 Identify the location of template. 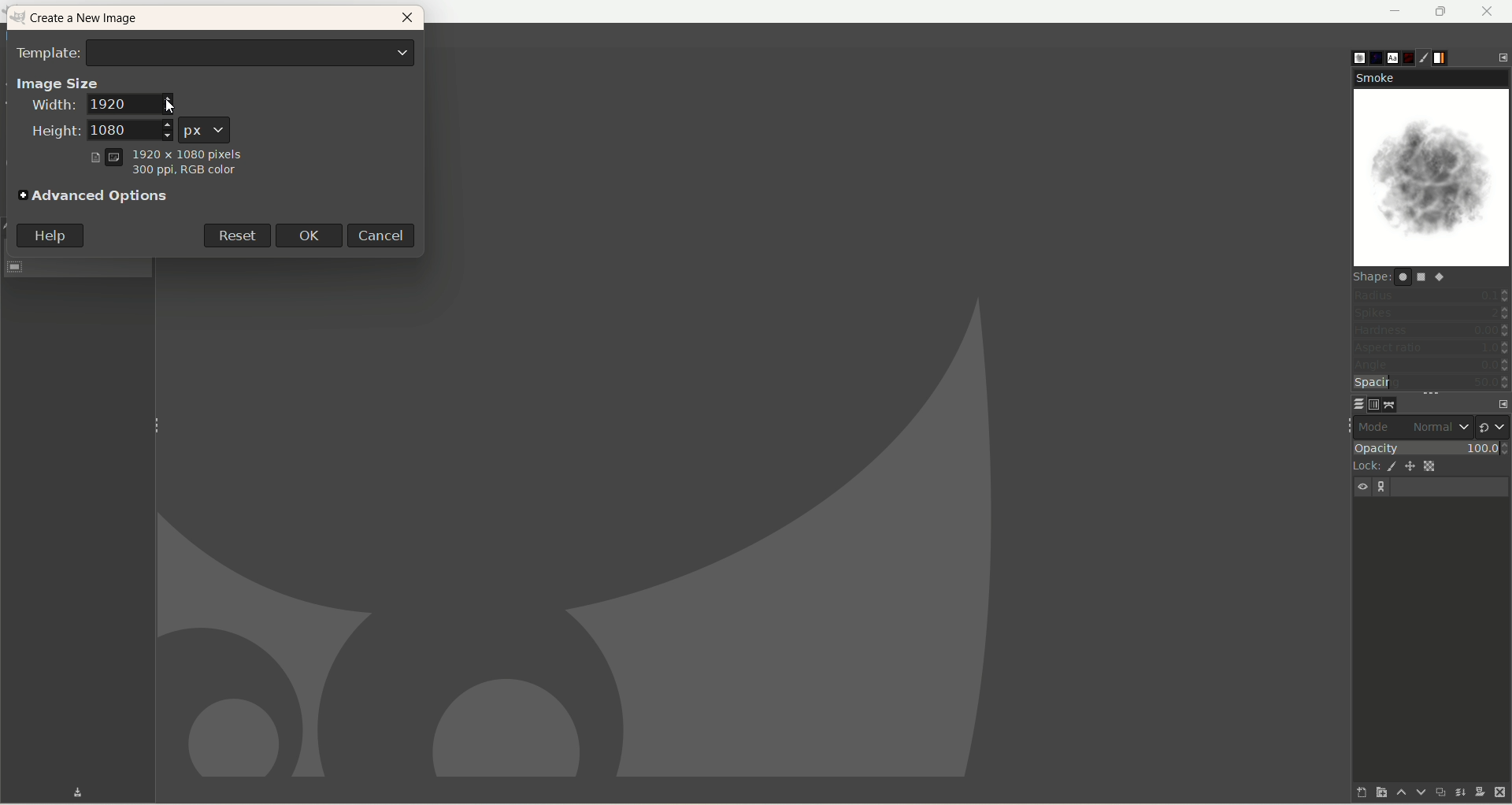
(217, 51).